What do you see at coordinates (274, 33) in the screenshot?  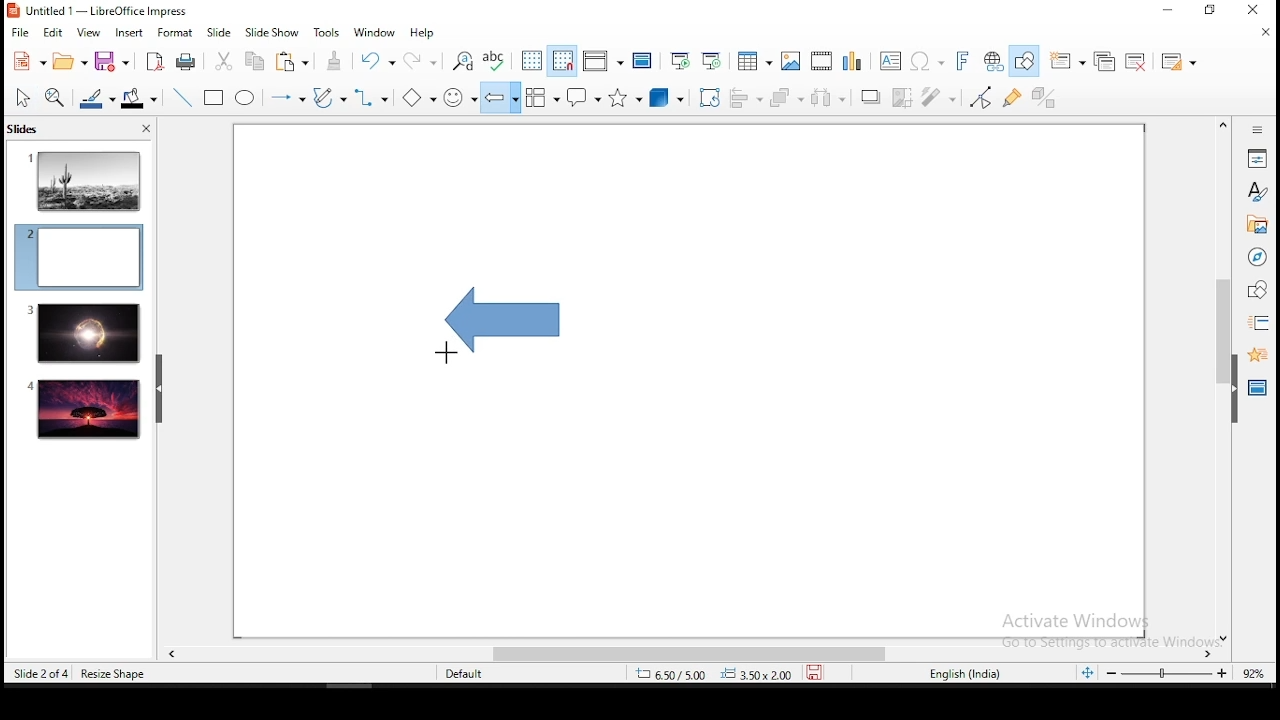 I see `slide show` at bounding box center [274, 33].